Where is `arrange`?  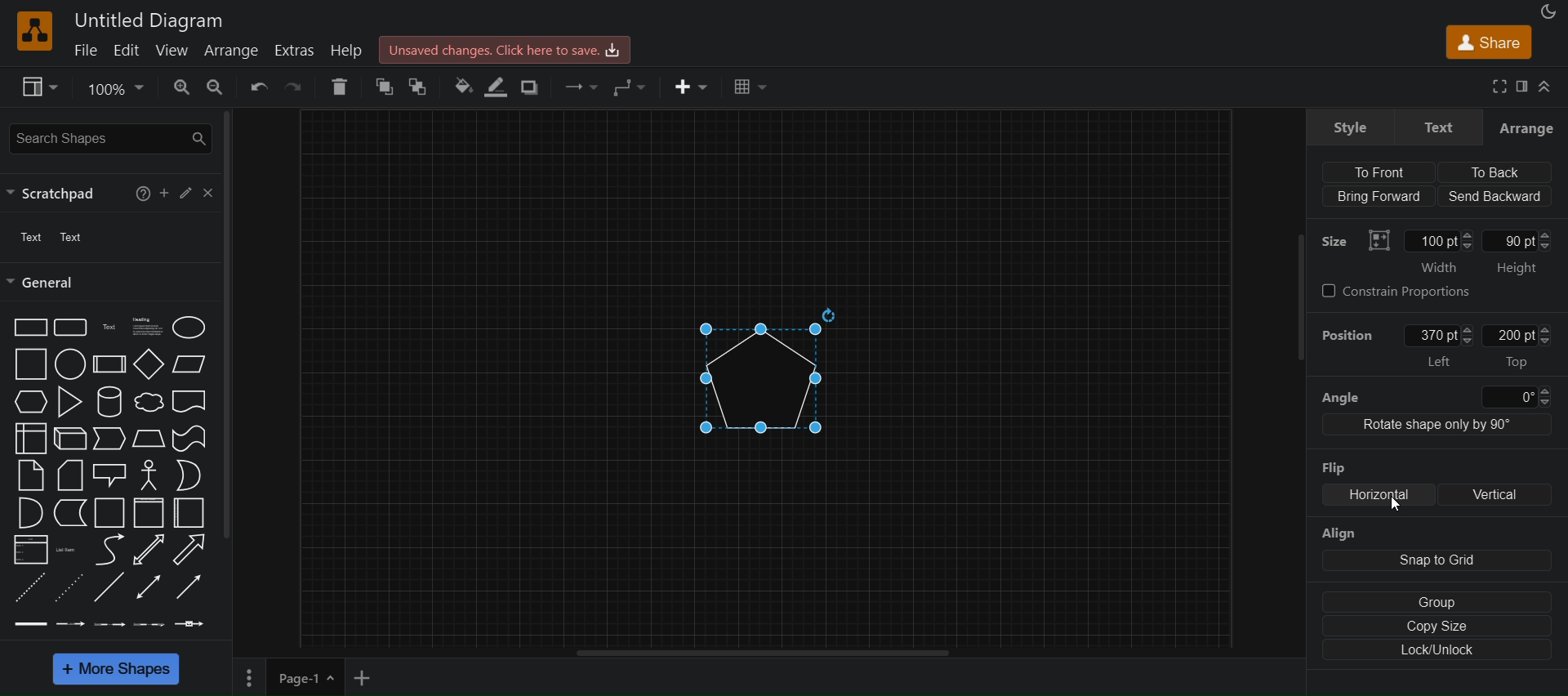
arrange is located at coordinates (233, 51).